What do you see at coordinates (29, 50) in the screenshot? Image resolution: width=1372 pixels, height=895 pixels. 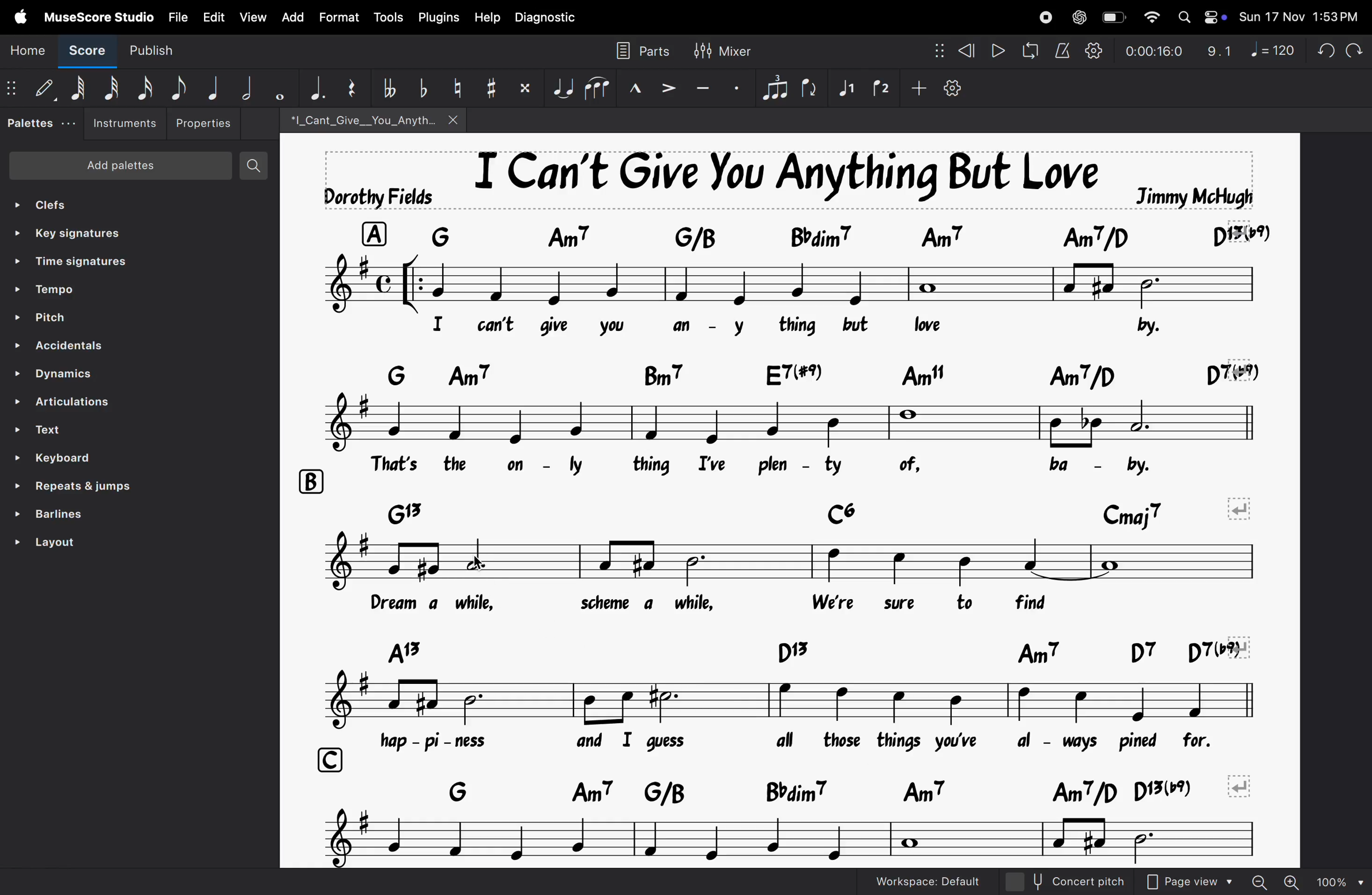 I see `Home` at bounding box center [29, 50].